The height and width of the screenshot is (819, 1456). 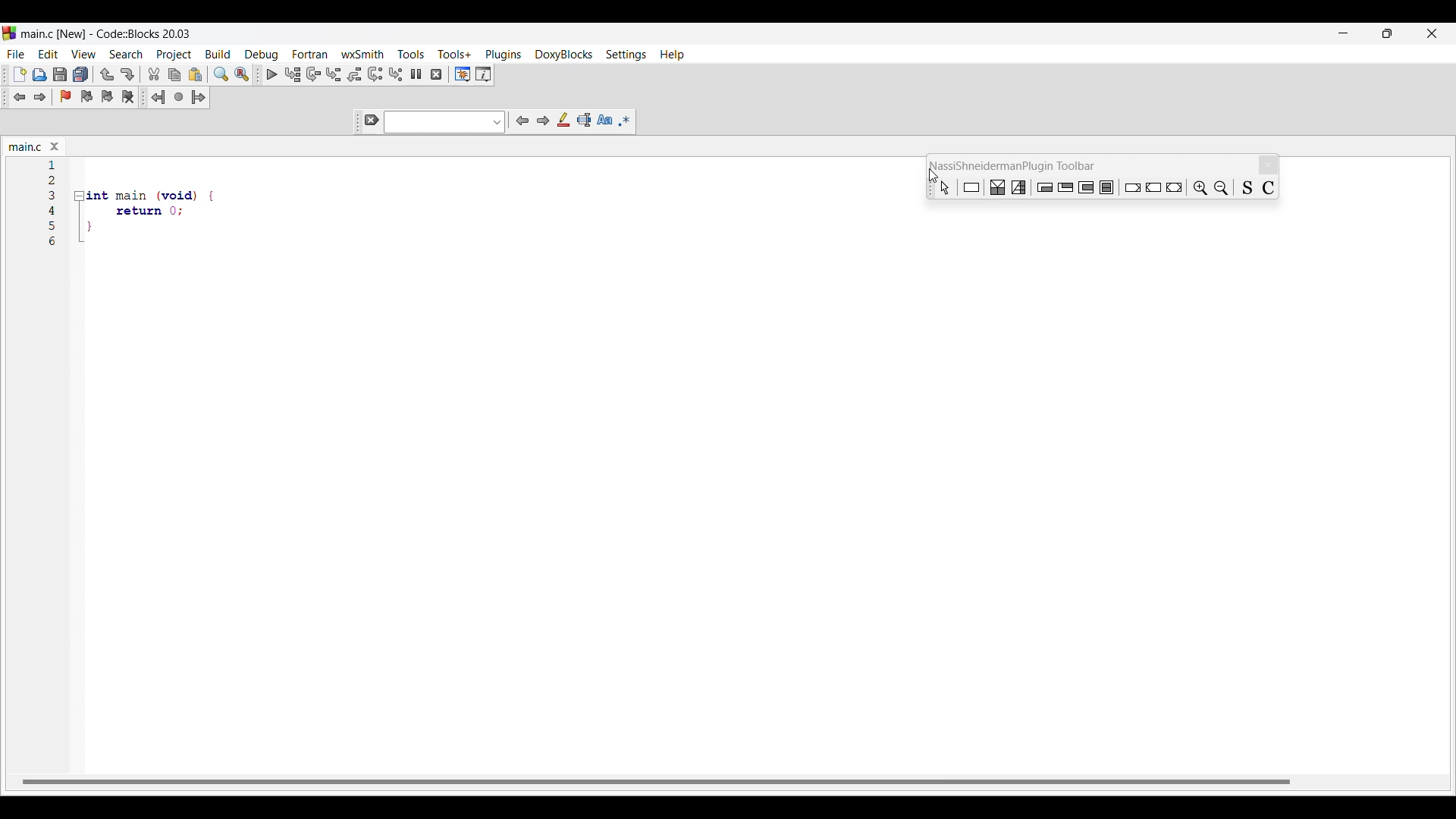 What do you see at coordinates (1087, 188) in the screenshot?
I see `` at bounding box center [1087, 188].